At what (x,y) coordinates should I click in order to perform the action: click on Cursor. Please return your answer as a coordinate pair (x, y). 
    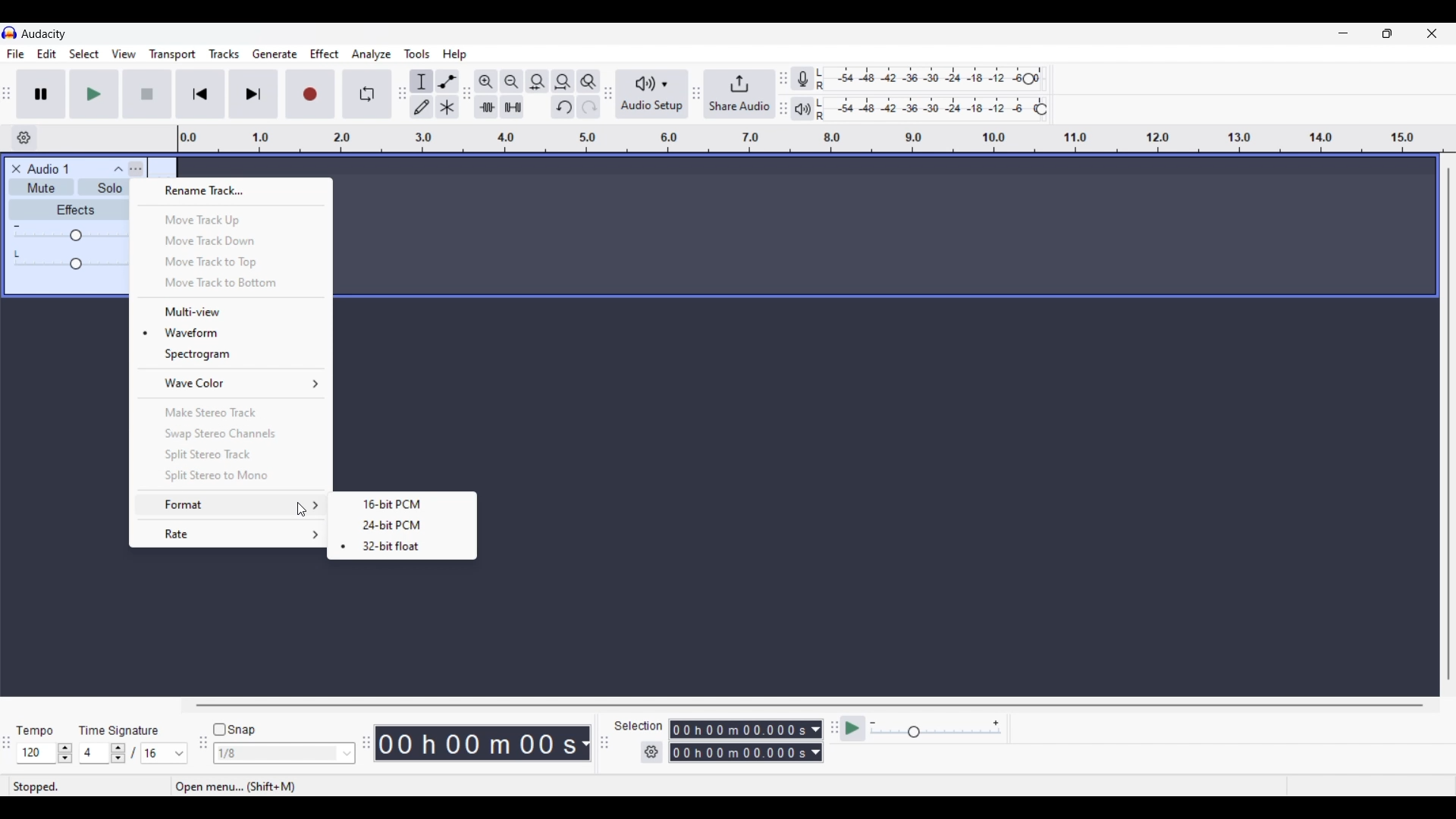
    Looking at the image, I should click on (303, 510).